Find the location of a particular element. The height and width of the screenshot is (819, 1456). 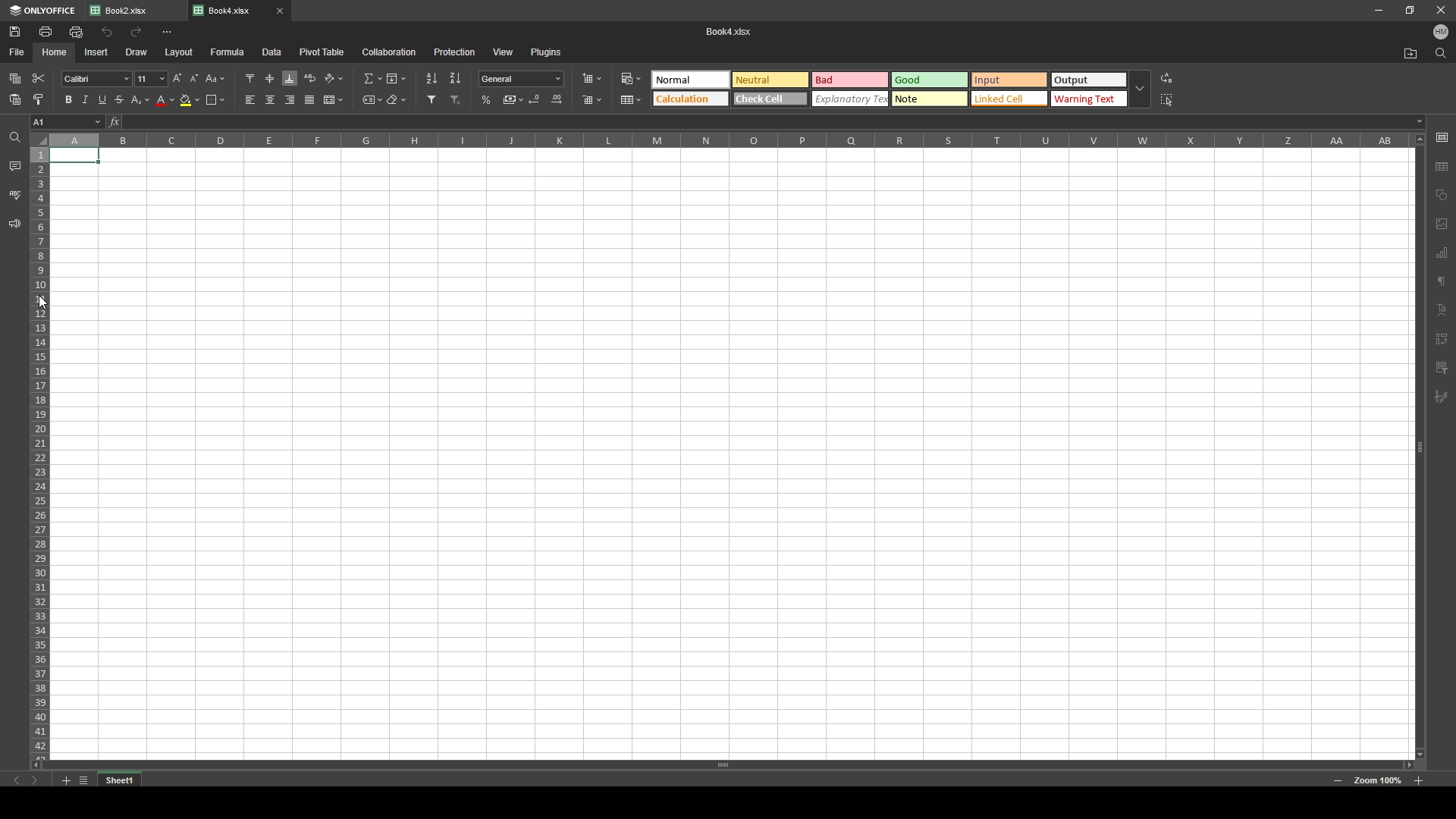

formula is located at coordinates (229, 52).